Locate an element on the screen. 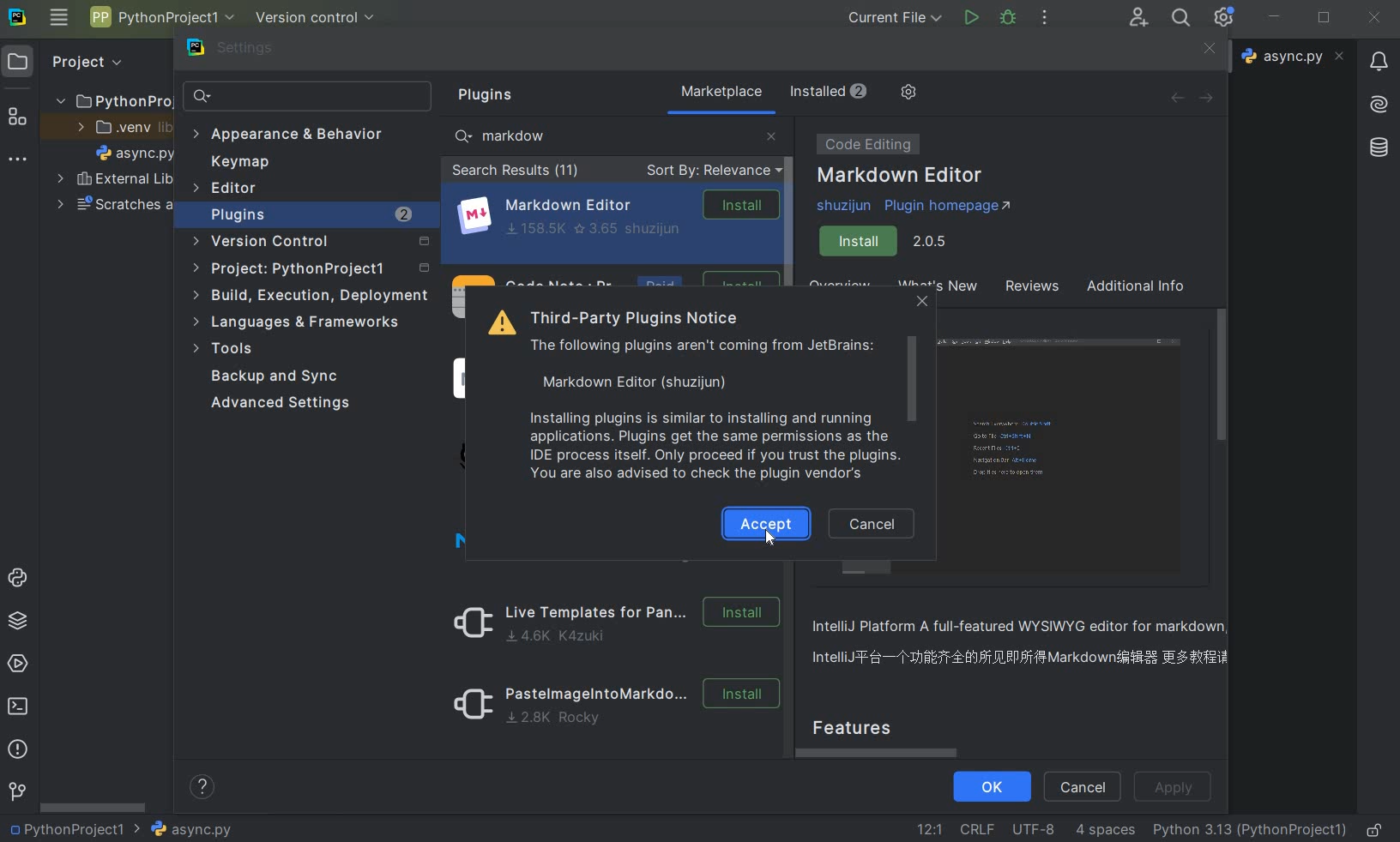  project is located at coordinates (74, 62).